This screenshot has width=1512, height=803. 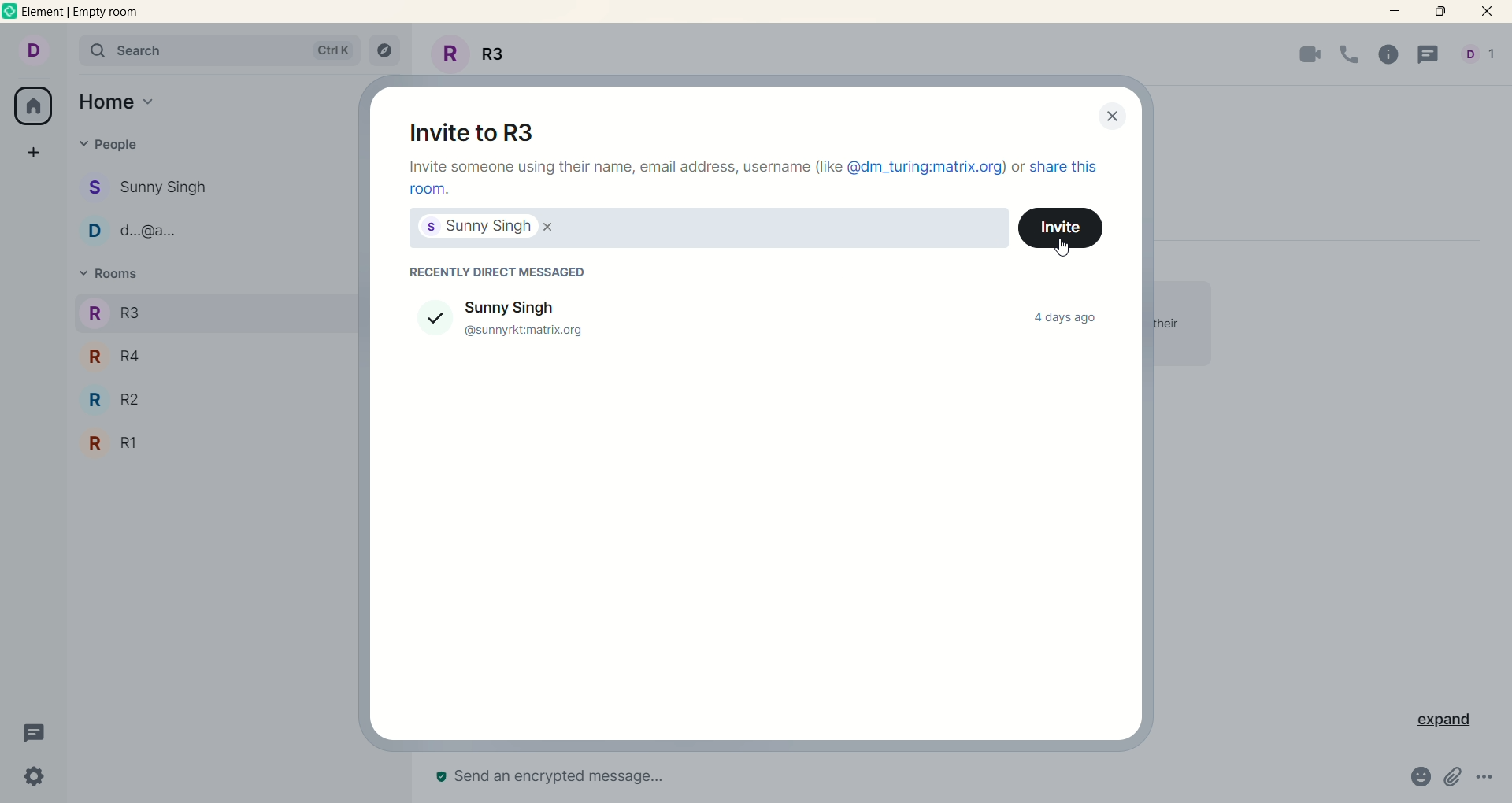 I want to click on Room name, so click(x=473, y=52).